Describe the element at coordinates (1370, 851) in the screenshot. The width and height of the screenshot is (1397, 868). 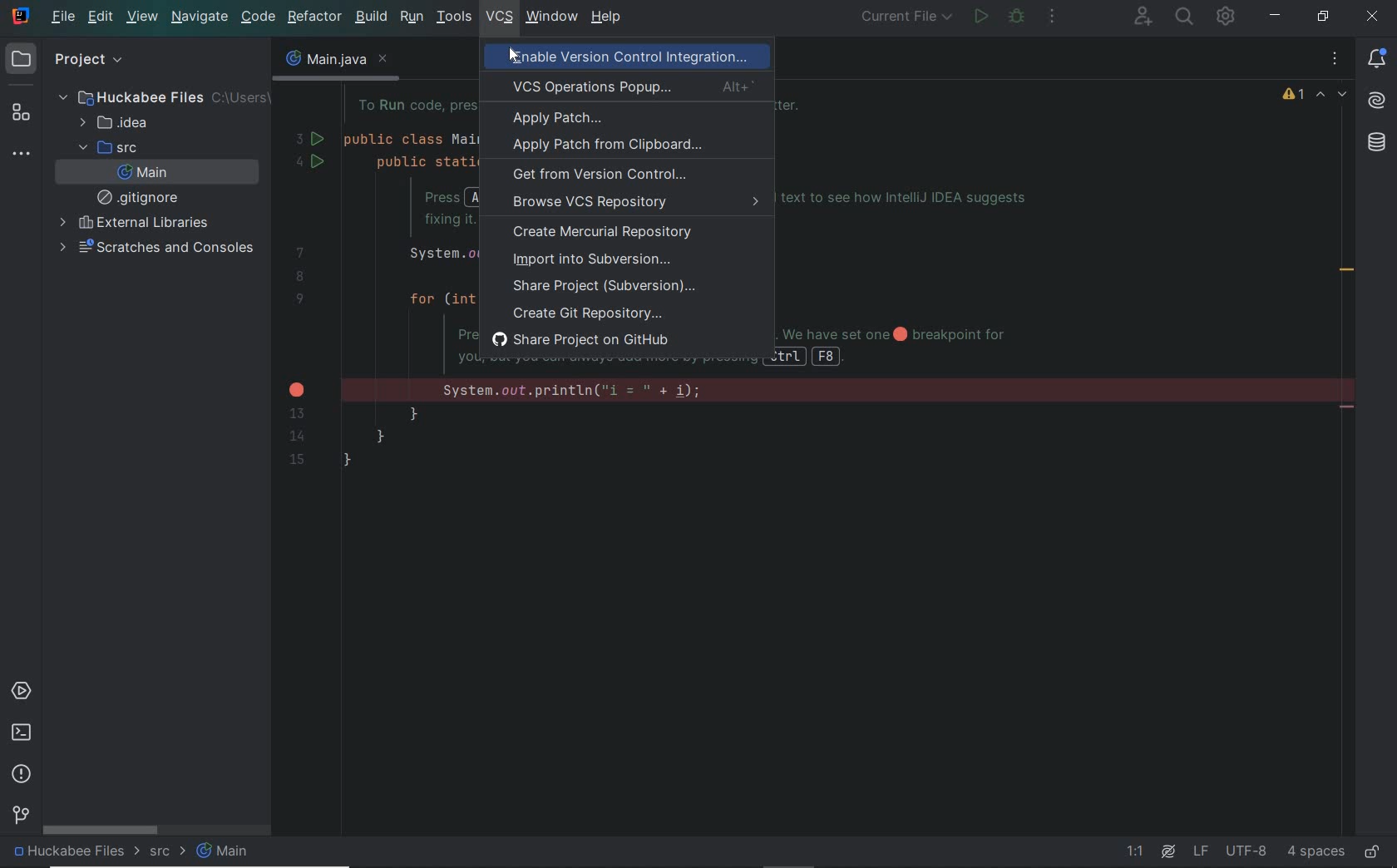
I see `make file ready only` at that location.